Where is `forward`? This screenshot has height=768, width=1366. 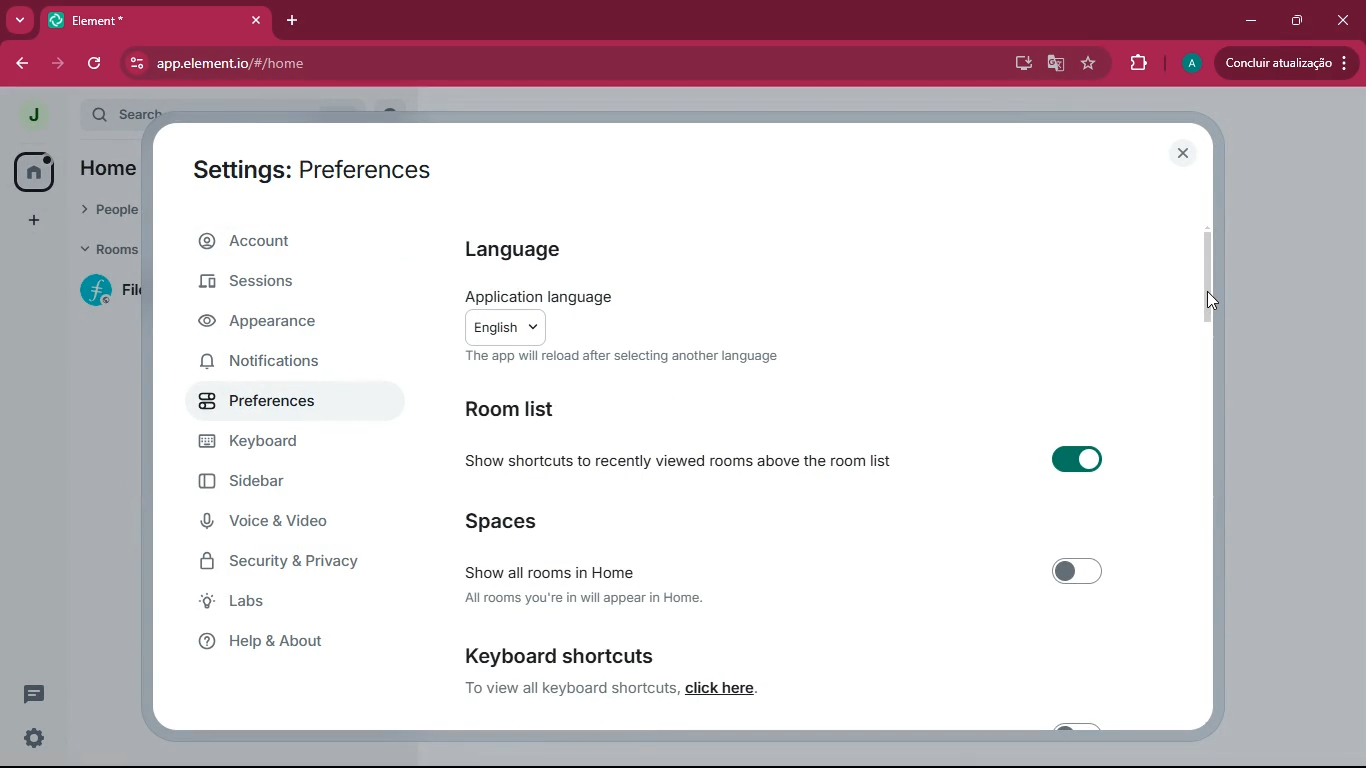
forward is located at coordinates (58, 64).